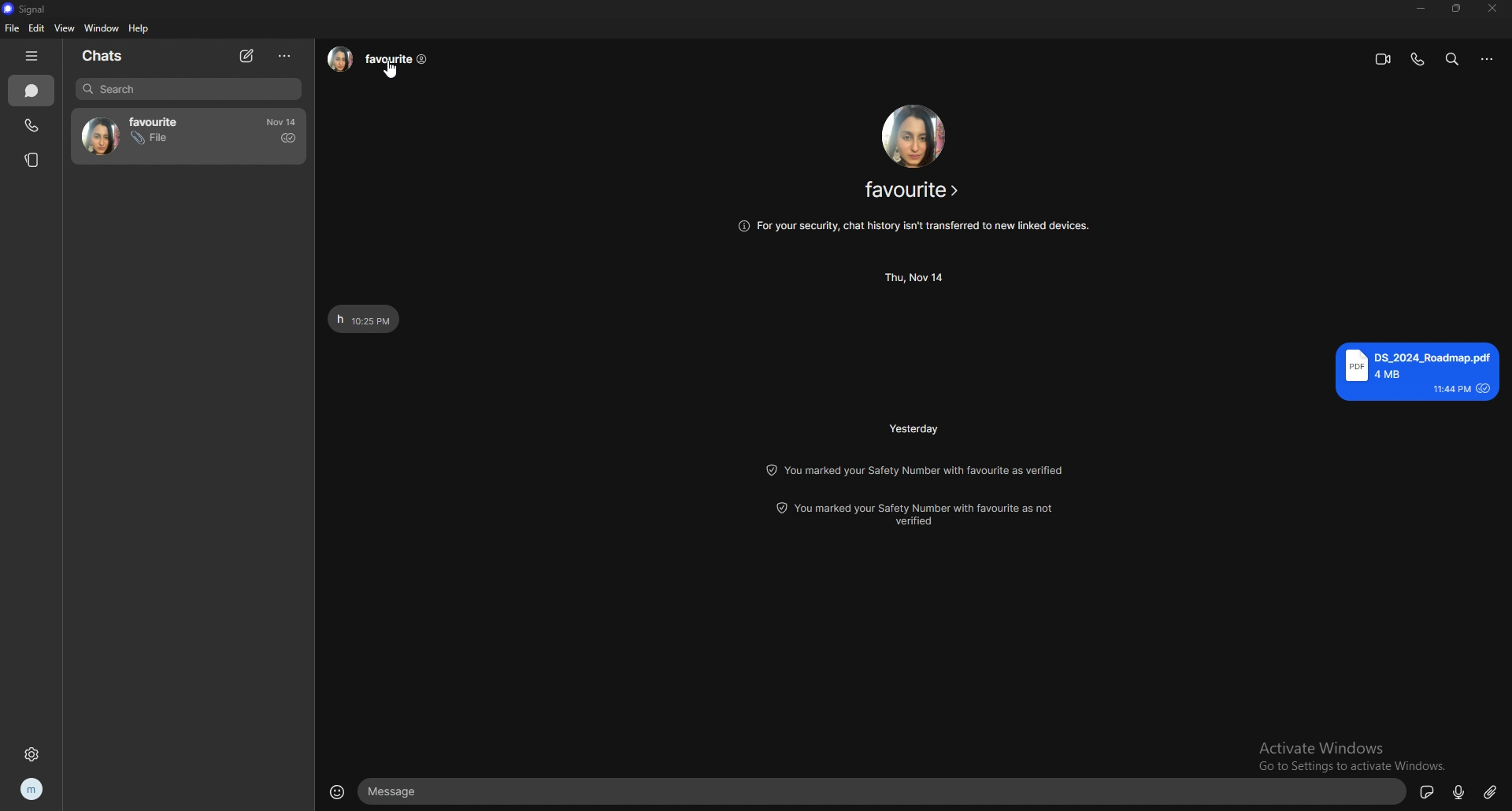 The width and height of the screenshot is (1512, 811). Describe the element at coordinates (913, 135) in the screenshot. I see `contact photo` at that location.